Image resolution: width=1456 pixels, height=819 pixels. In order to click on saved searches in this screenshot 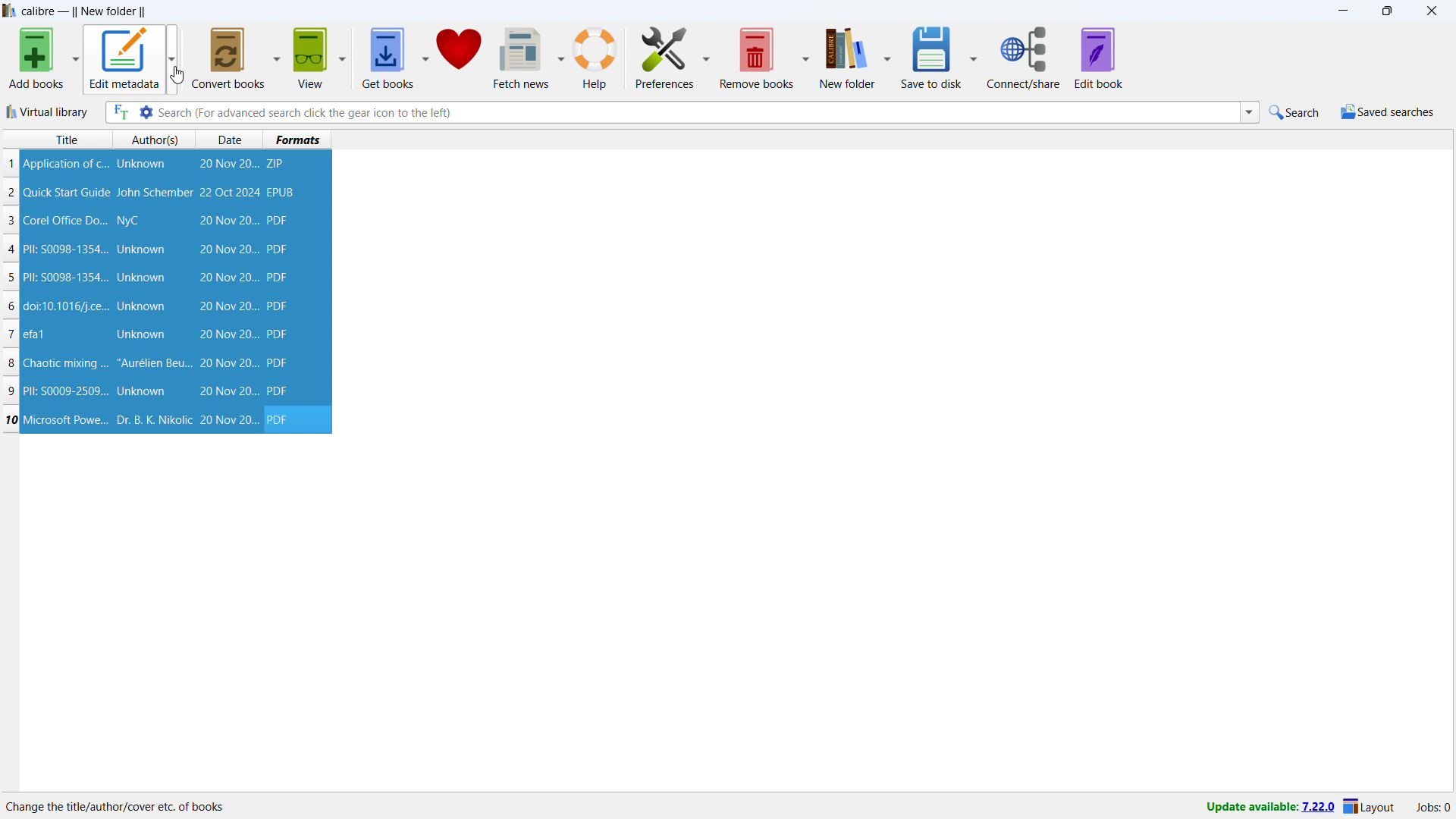, I will do `click(1388, 111)`.